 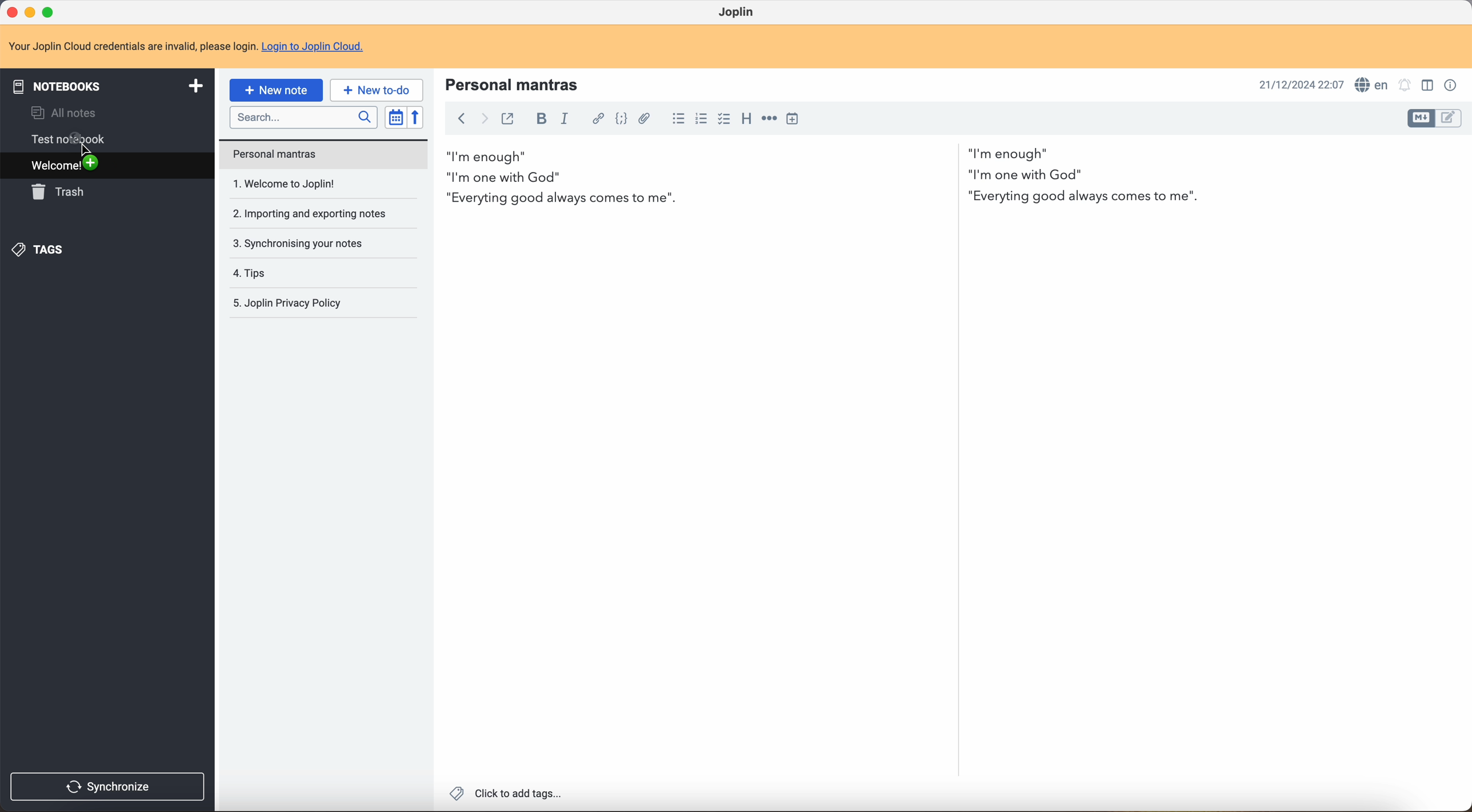 What do you see at coordinates (32, 14) in the screenshot?
I see `minimize program` at bounding box center [32, 14].